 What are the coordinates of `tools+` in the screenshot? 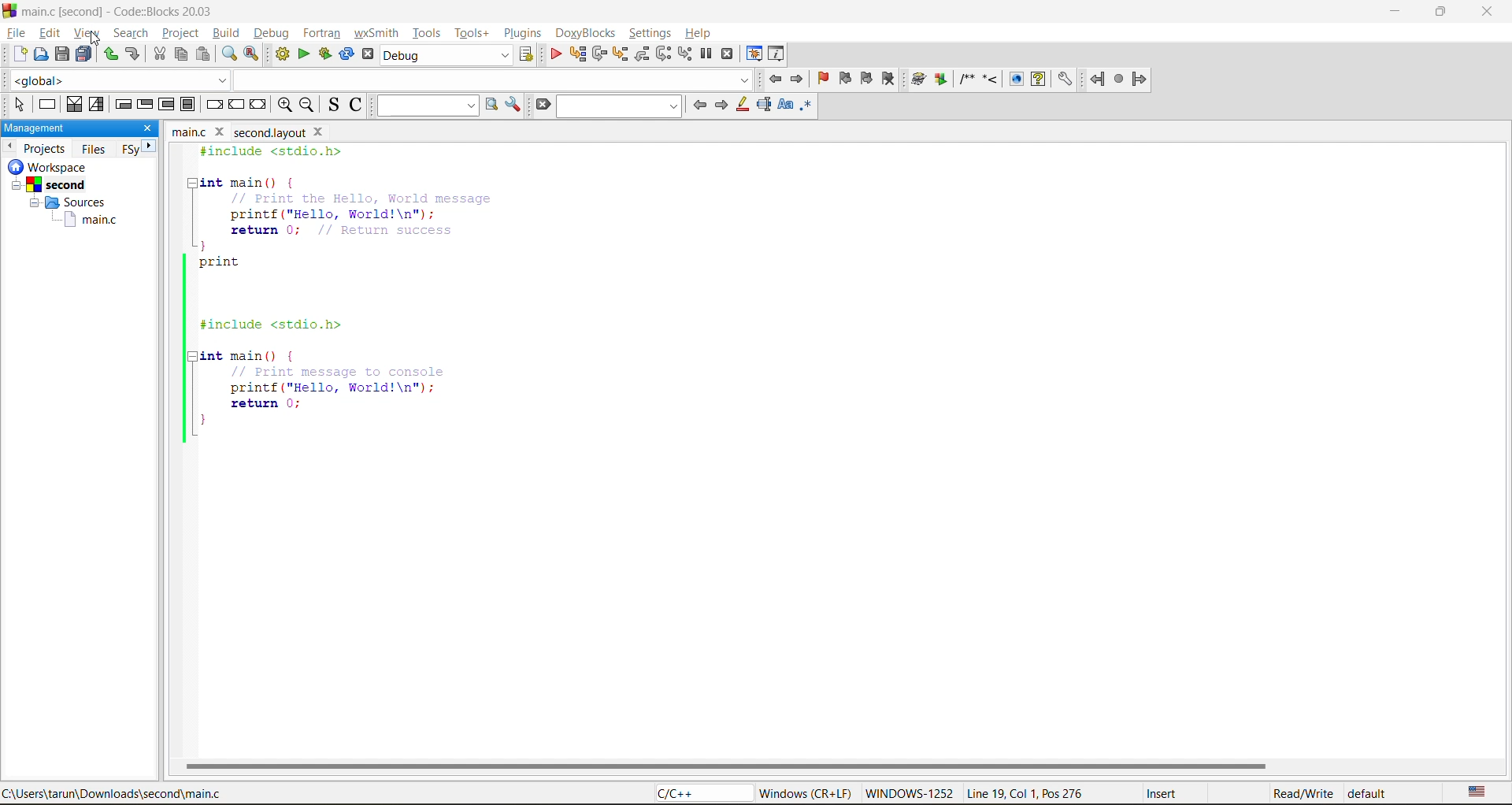 It's located at (472, 33).